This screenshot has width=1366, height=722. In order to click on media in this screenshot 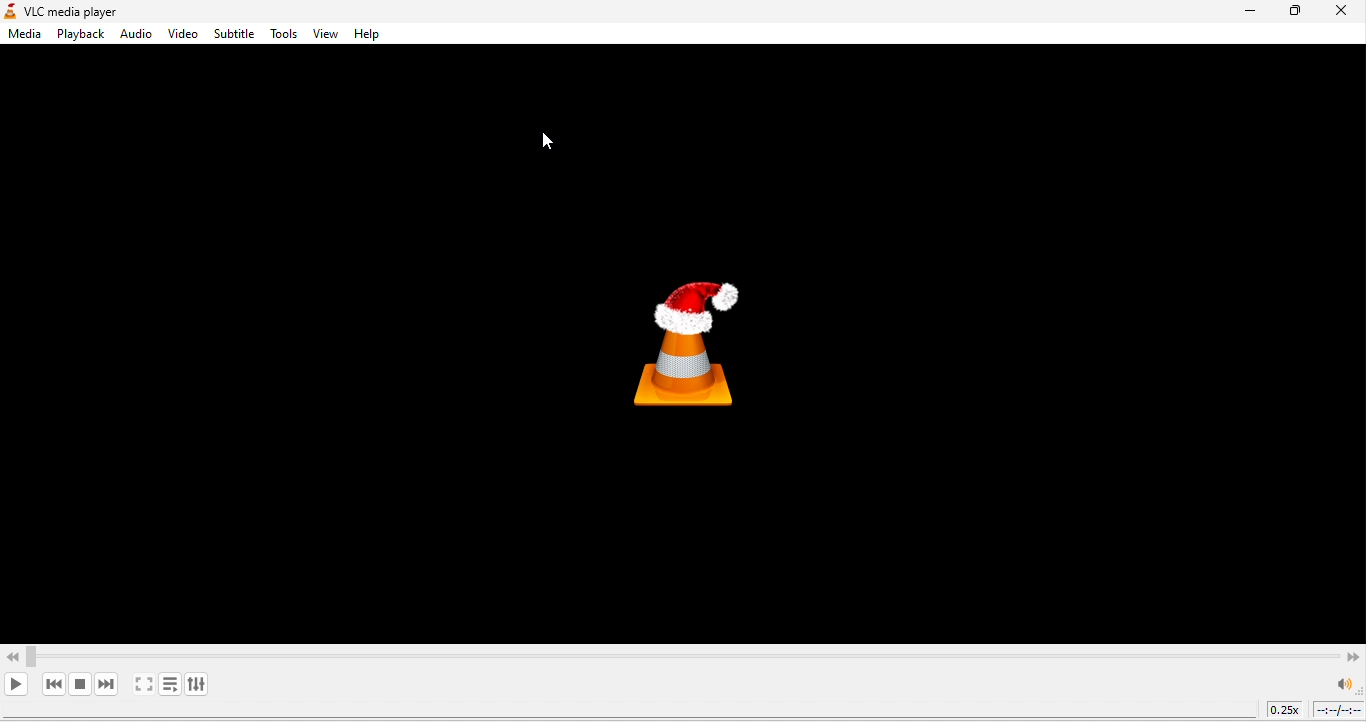, I will do `click(23, 36)`.